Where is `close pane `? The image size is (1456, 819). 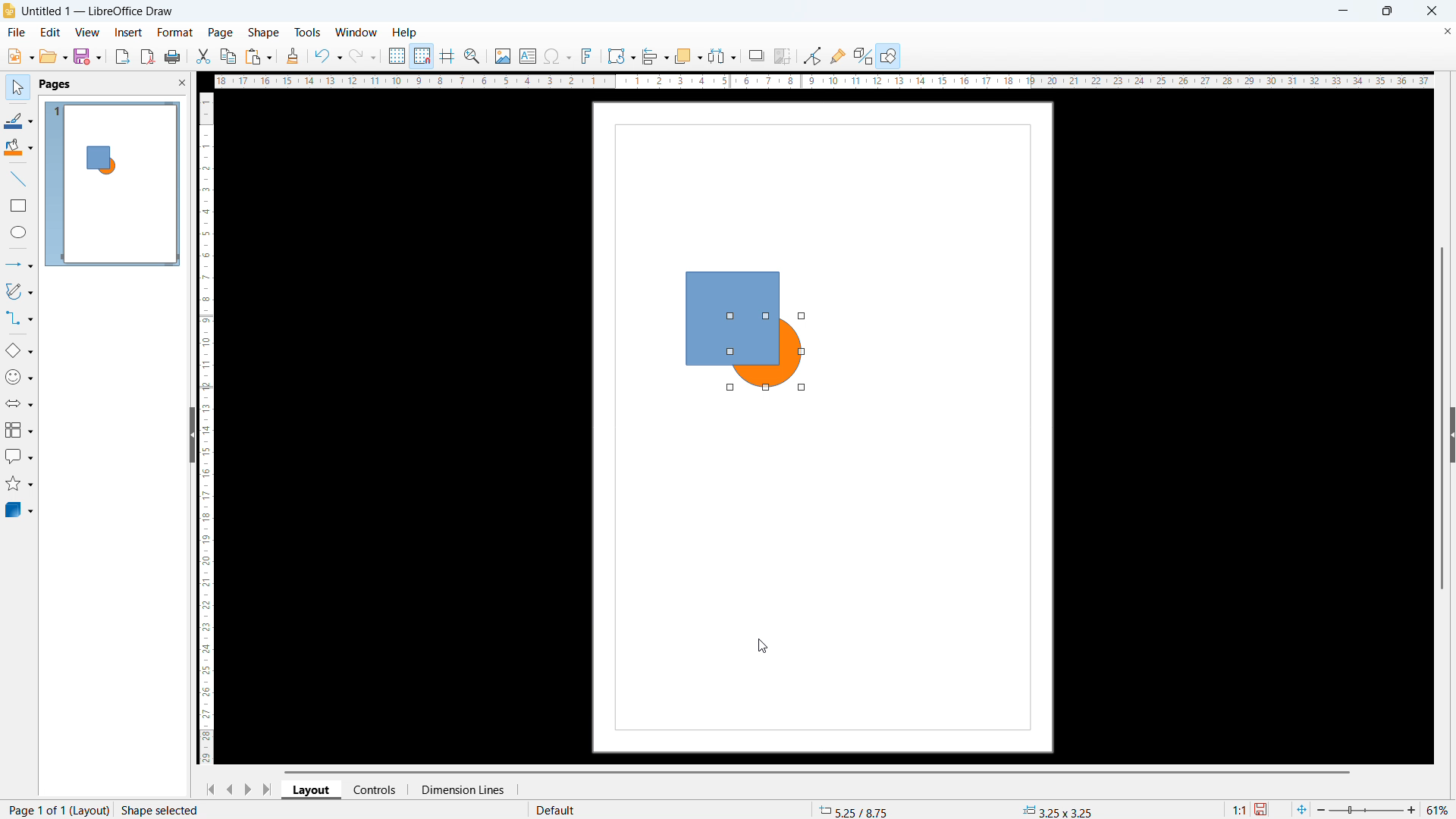
close pane  is located at coordinates (181, 82).